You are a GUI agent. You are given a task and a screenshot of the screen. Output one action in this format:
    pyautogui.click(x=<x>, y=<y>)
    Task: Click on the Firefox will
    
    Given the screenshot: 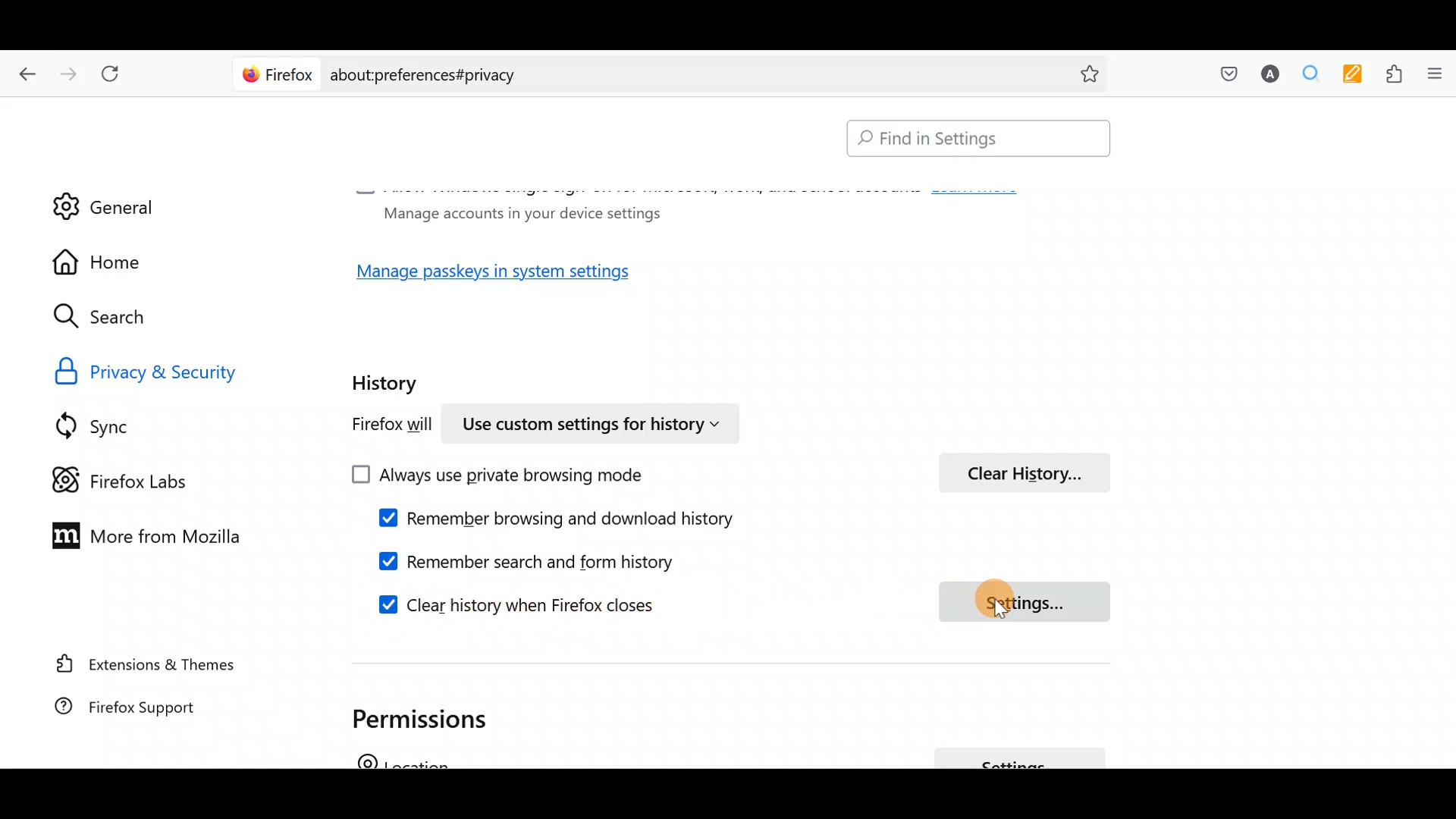 What is the action you would take?
    pyautogui.click(x=376, y=427)
    